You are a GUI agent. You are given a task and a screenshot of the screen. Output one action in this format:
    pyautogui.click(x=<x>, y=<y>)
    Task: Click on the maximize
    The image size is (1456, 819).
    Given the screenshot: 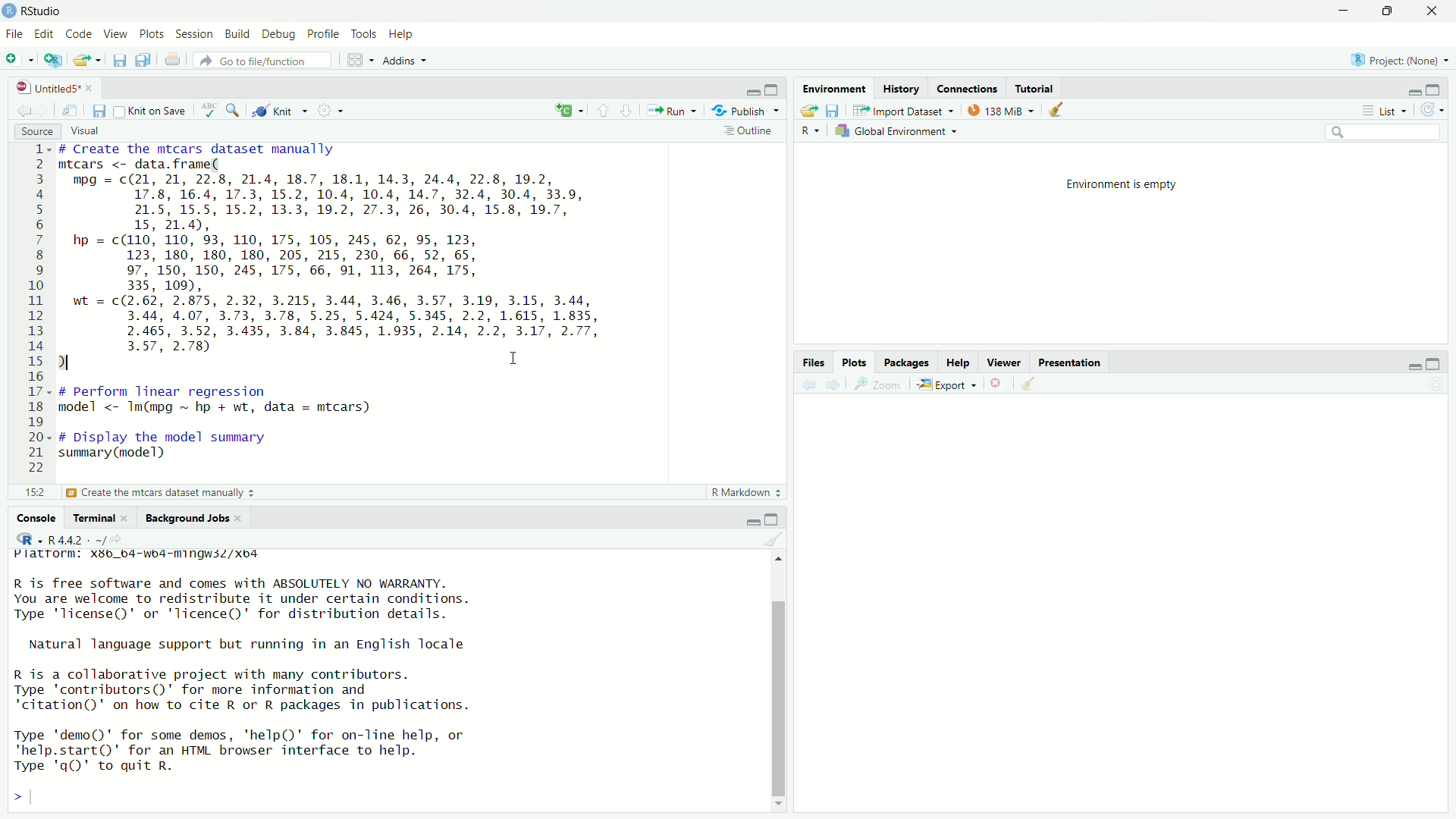 What is the action you would take?
    pyautogui.click(x=1387, y=11)
    